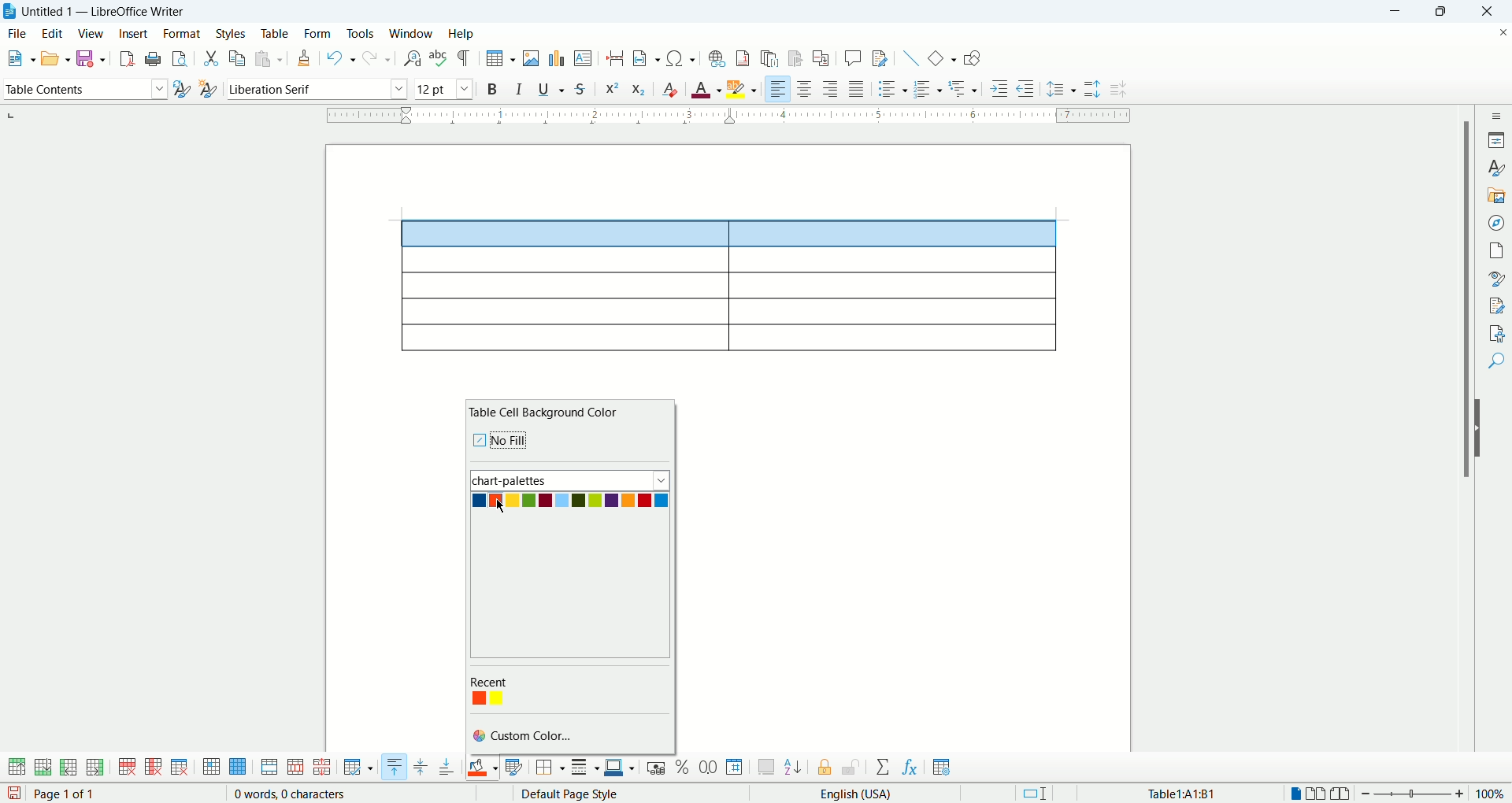 The width and height of the screenshot is (1512, 803). What do you see at coordinates (1462, 442) in the screenshot?
I see `vertical scroll bar` at bounding box center [1462, 442].